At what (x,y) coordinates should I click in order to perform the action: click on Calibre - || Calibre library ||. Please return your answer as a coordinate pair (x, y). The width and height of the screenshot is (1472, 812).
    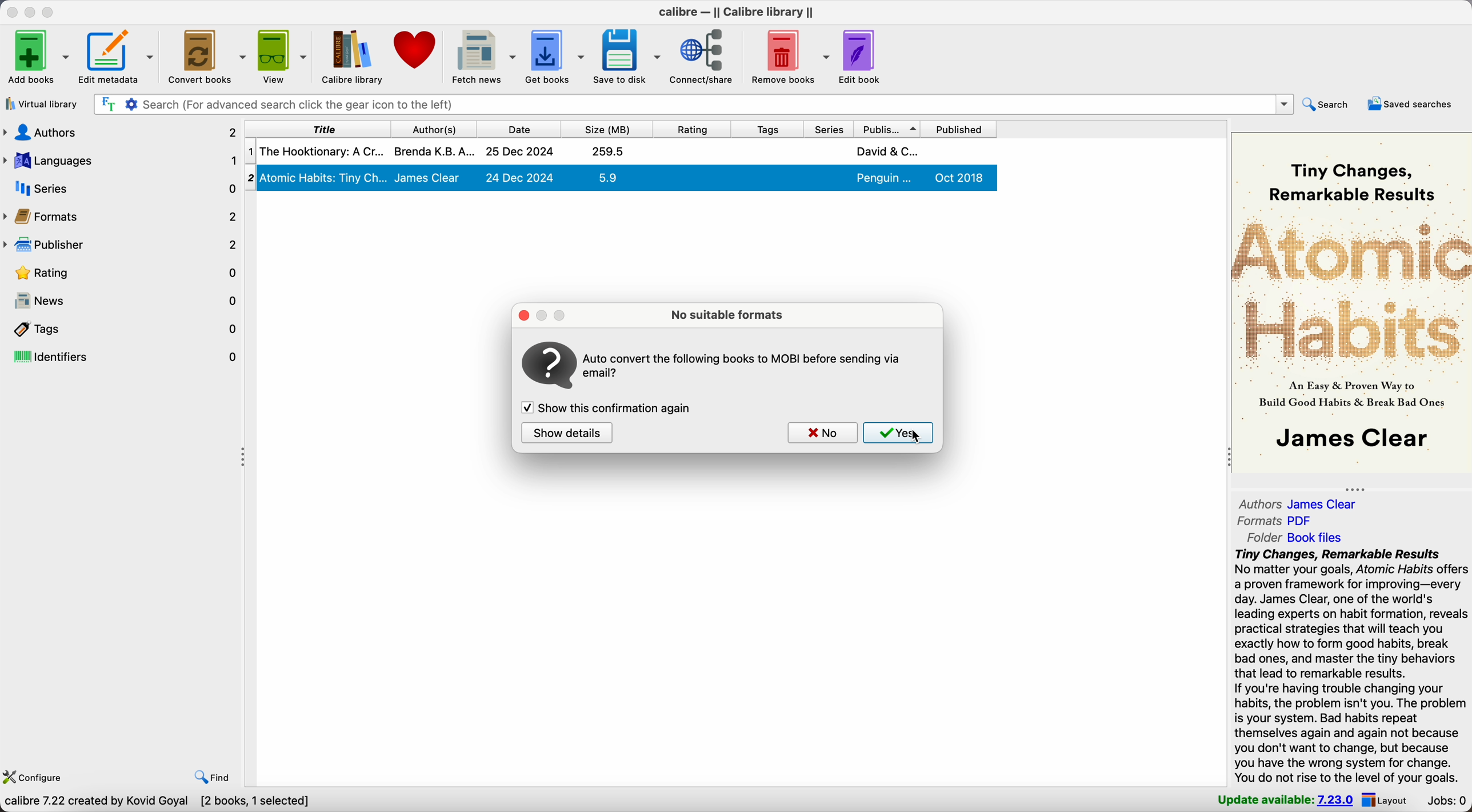
    Looking at the image, I should click on (736, 11).